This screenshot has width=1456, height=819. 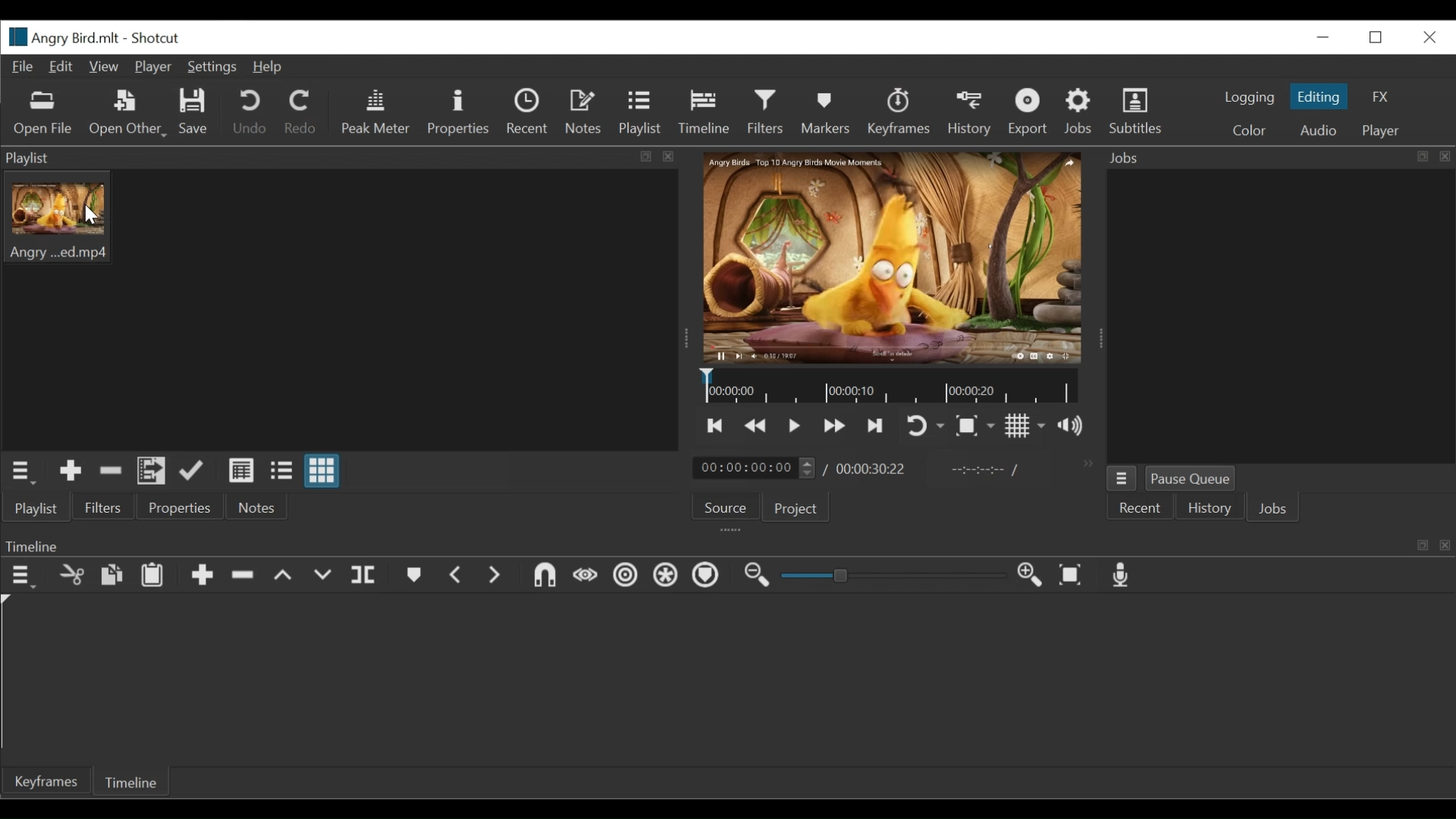 What do you see at coordinates (22, 67) in the screenshot?
I see `File` at bounding box center [22, 67].